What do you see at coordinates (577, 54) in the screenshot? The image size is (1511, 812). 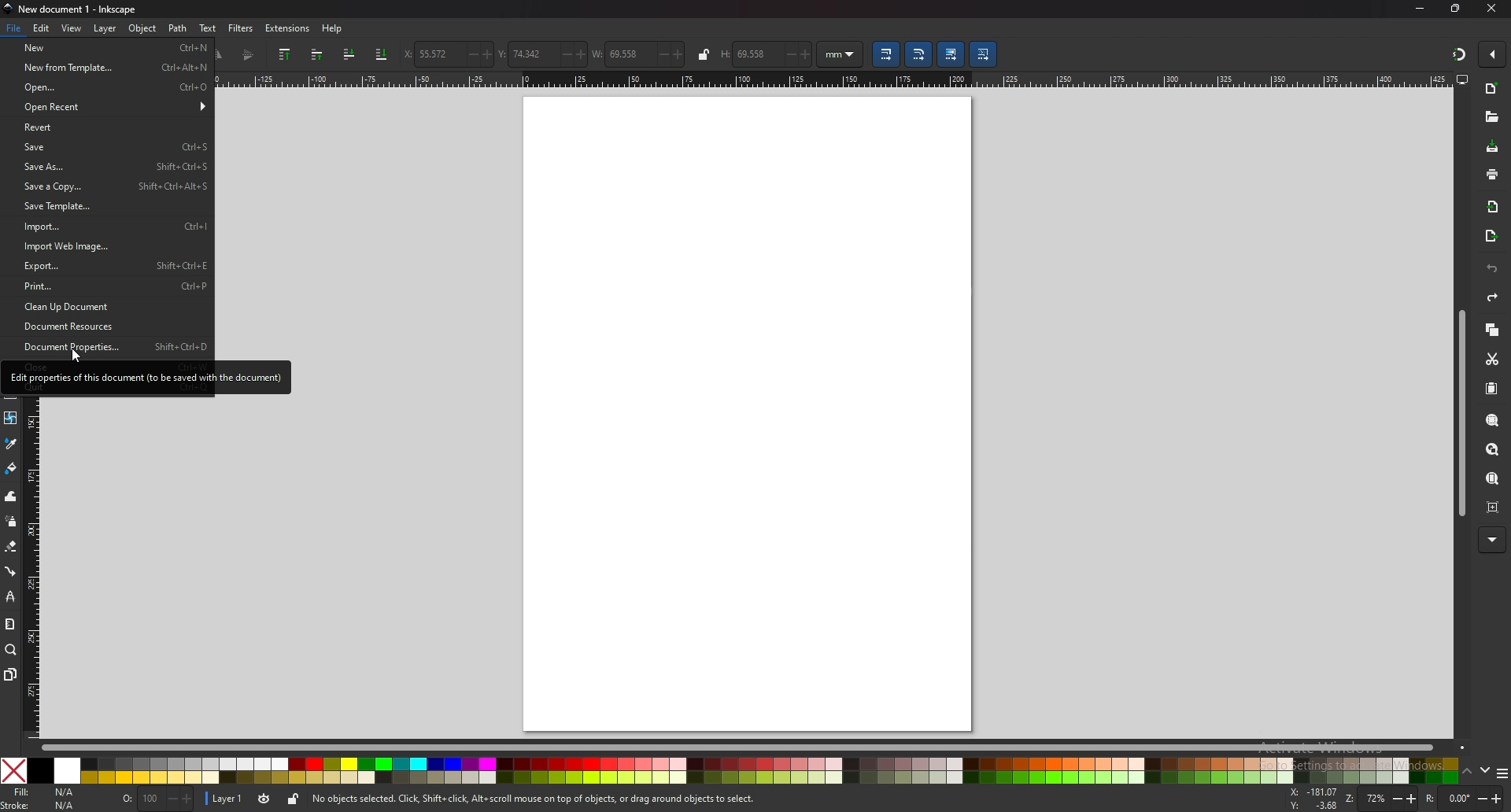 I see `+` at bounding box center [577, 54].